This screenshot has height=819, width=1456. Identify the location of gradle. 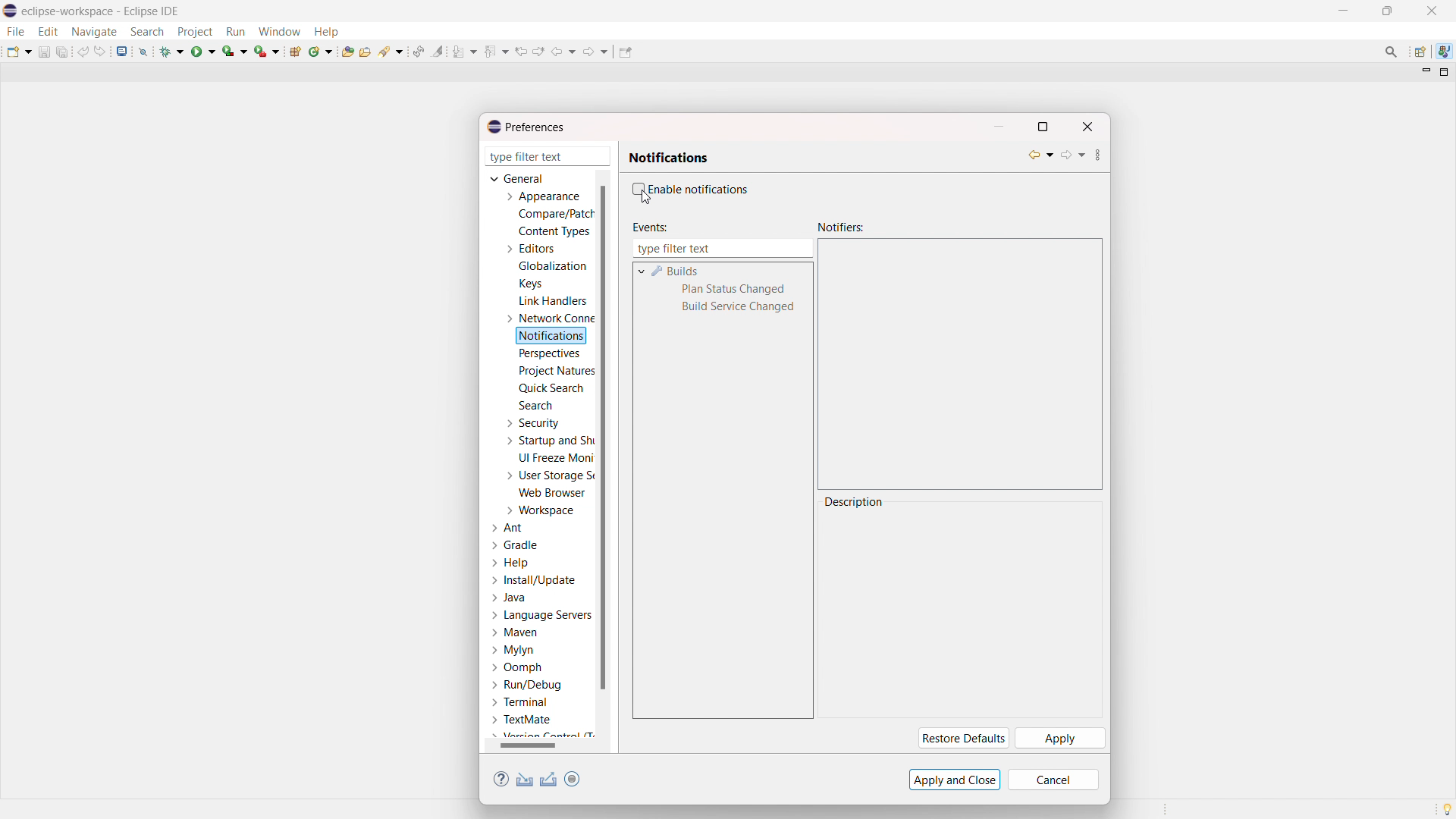
(516, 545).